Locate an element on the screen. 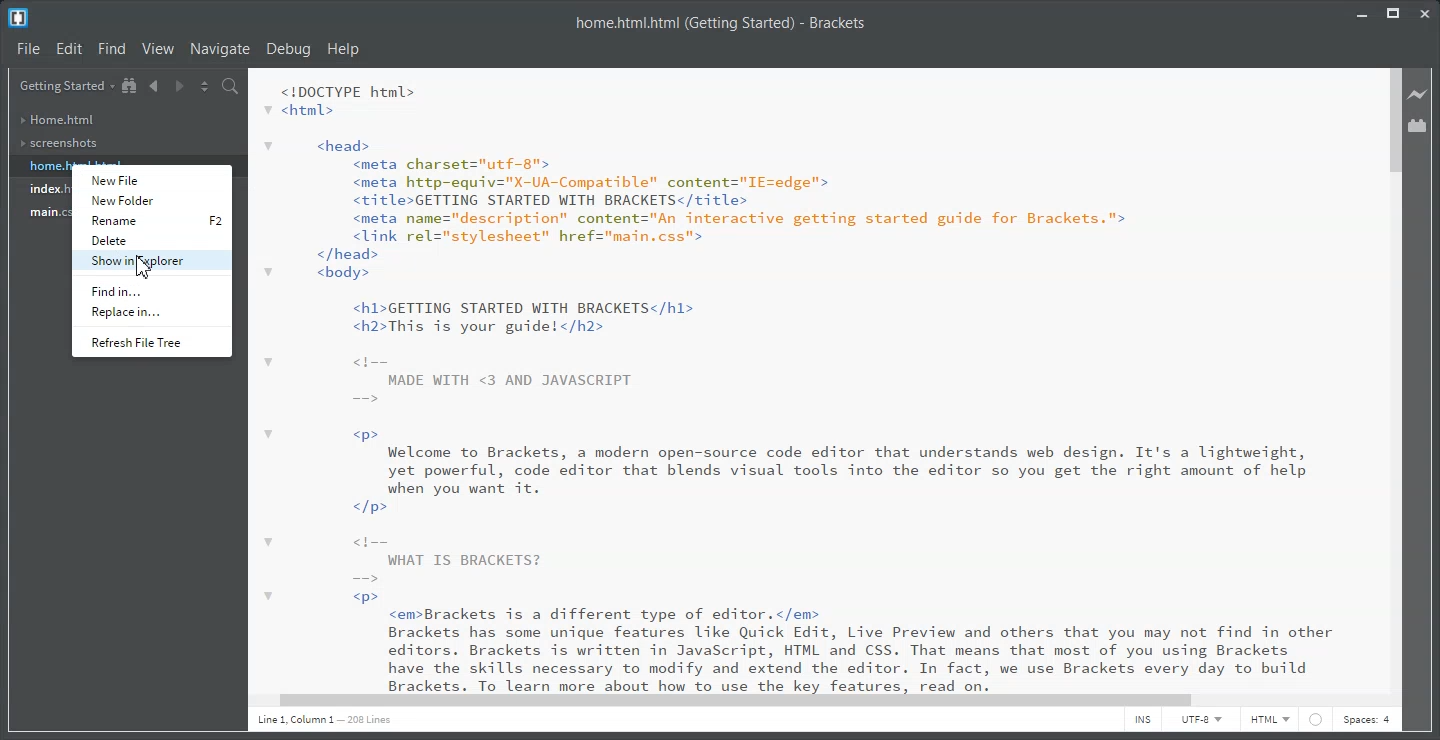 Image resolution: width=1440 pixels, height=740 pixels. Text 1 is located at coordinates (722, 23).